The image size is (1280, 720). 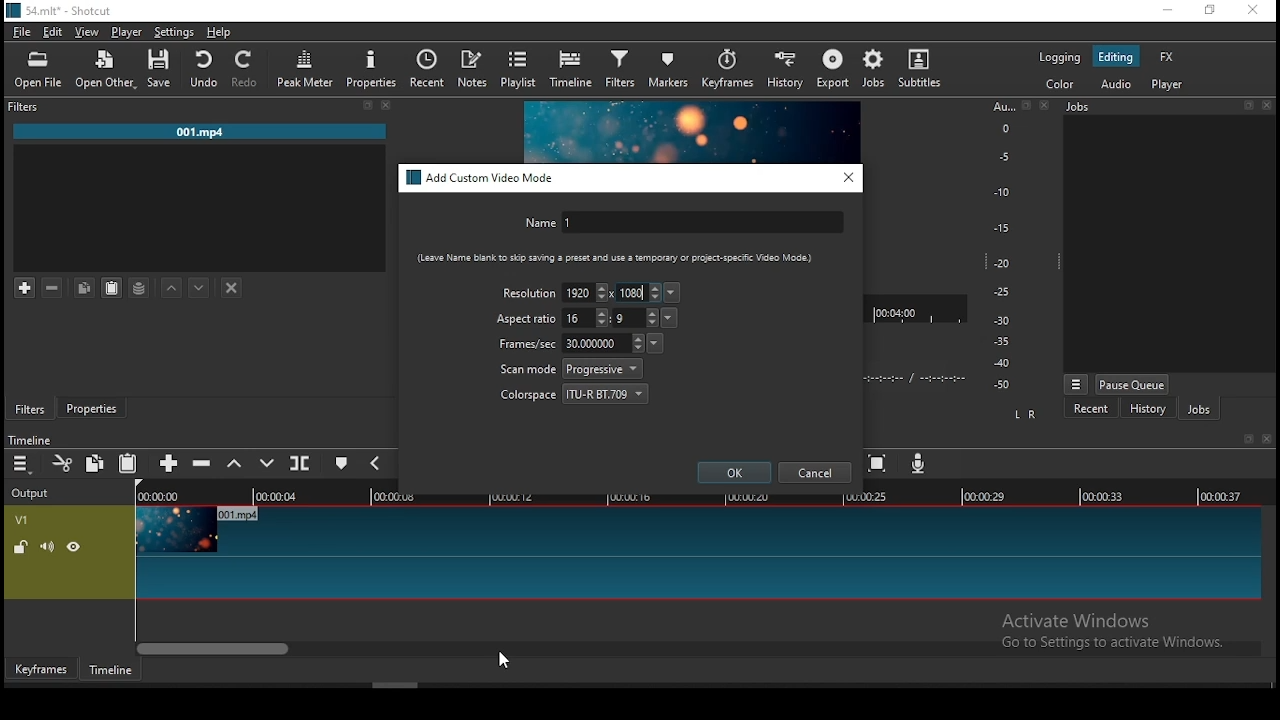 What do you see at coordinates (1246, 440) in the screenshot?
I see `restore` at bounding box center [1246, 440].